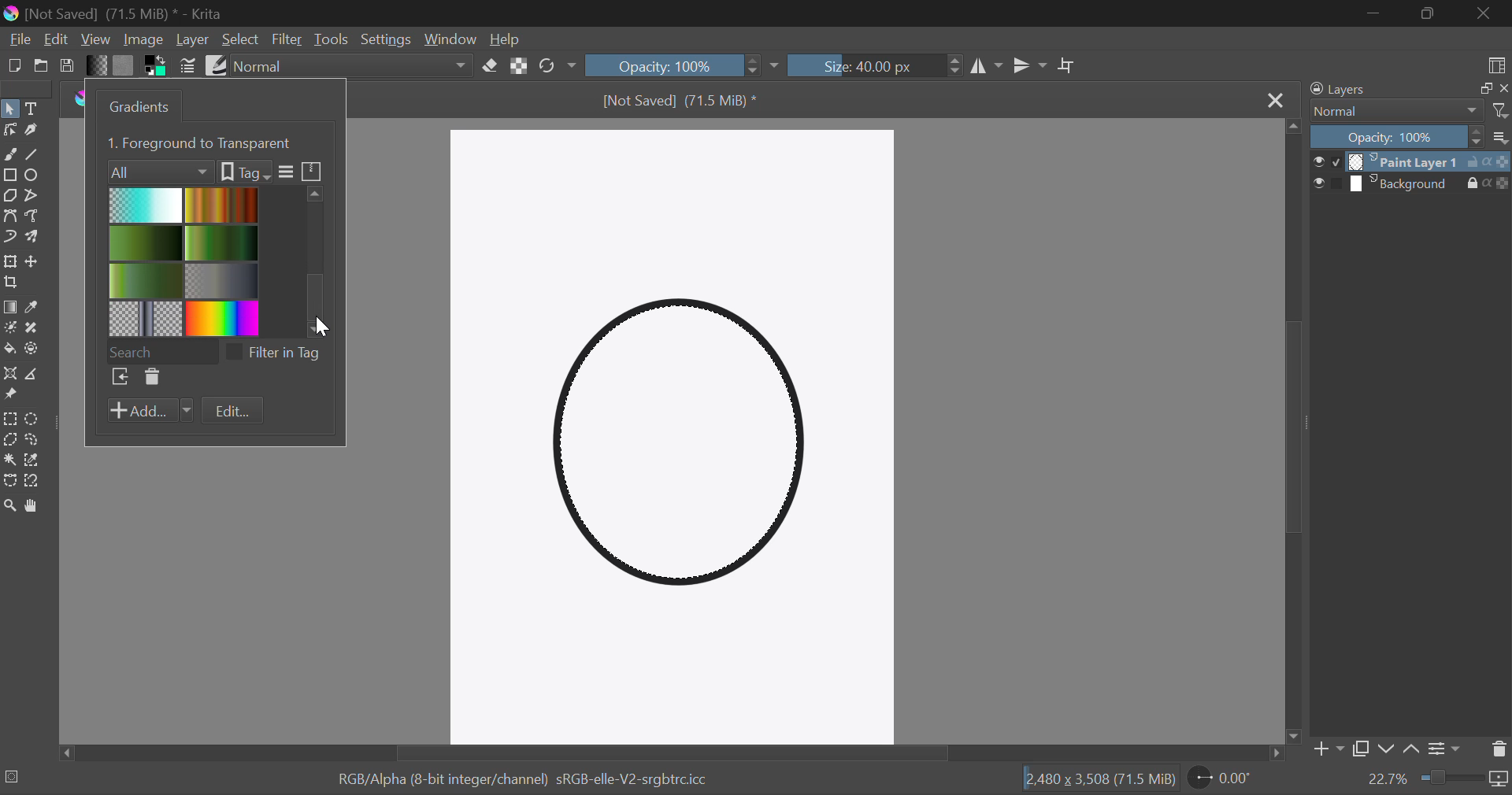  What do you see at coordinates (35, 264) in the screenshot?
I see `Move Layers` at bounding box center [35, 264].